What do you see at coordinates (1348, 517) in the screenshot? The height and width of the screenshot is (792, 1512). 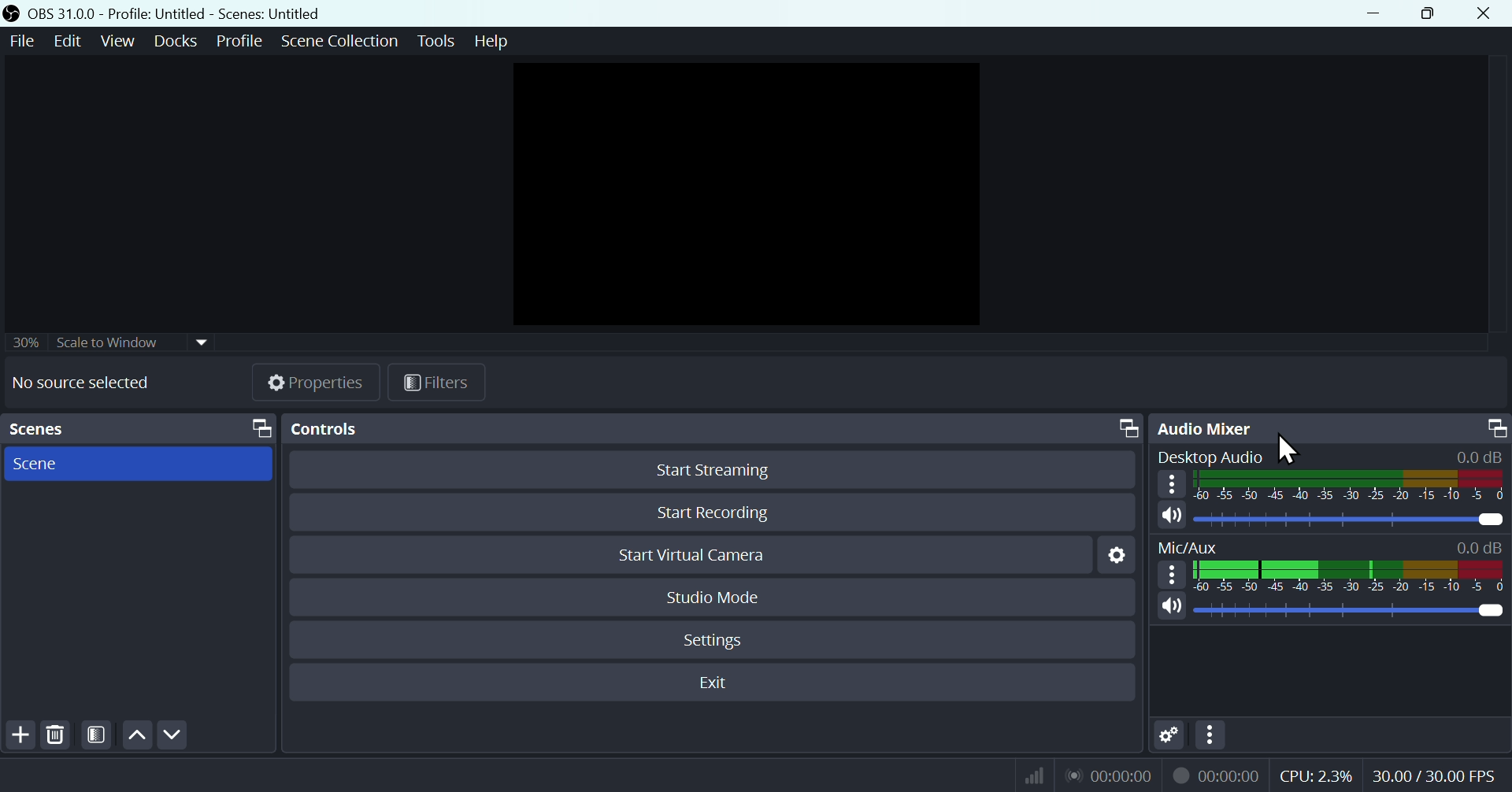 I see `Desktop Audio` at bounding box center [1348, 517].